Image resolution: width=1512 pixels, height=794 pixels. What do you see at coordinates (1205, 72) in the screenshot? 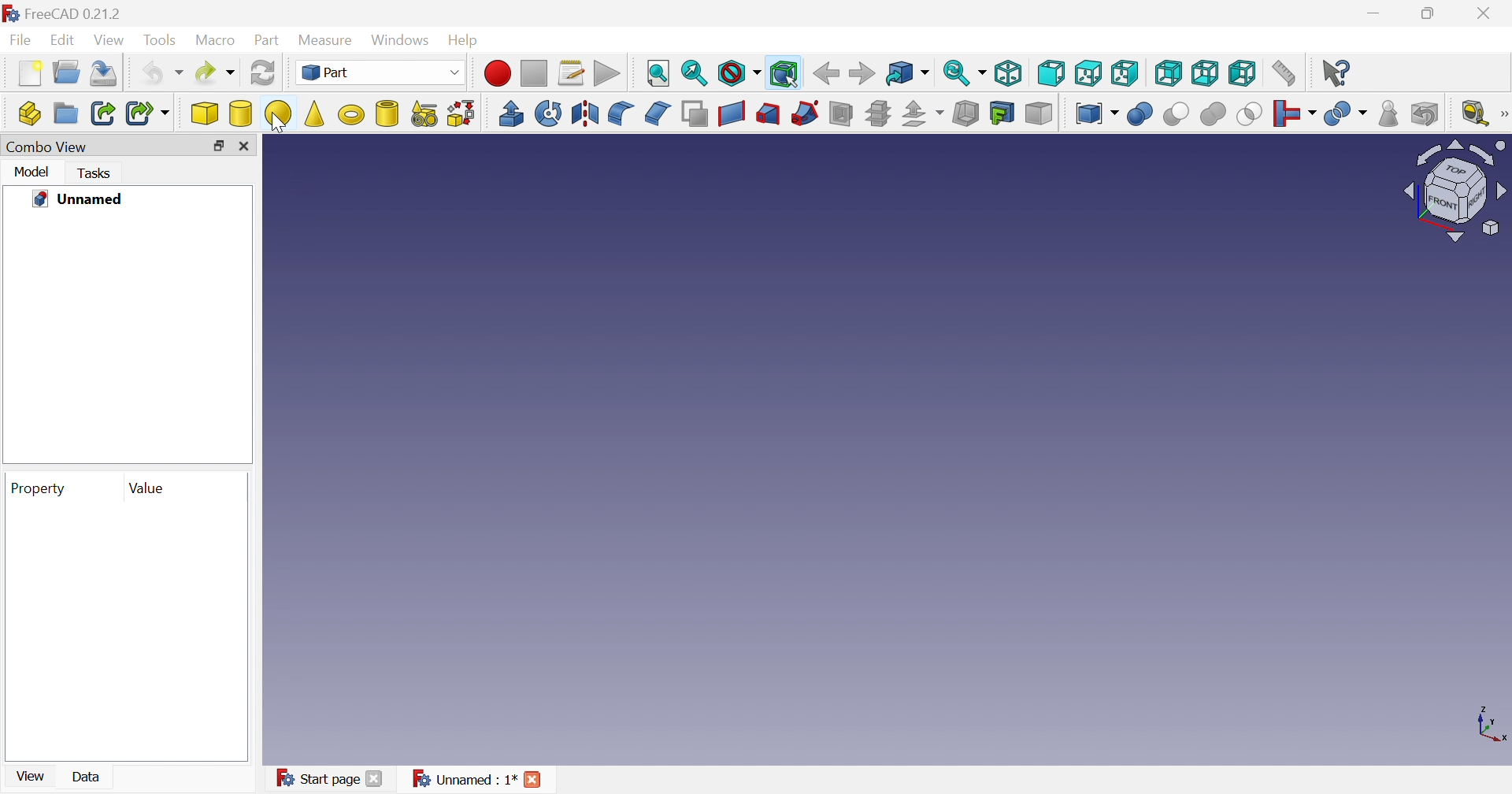
I see `Bottom` at bounding box center [1205, 72].